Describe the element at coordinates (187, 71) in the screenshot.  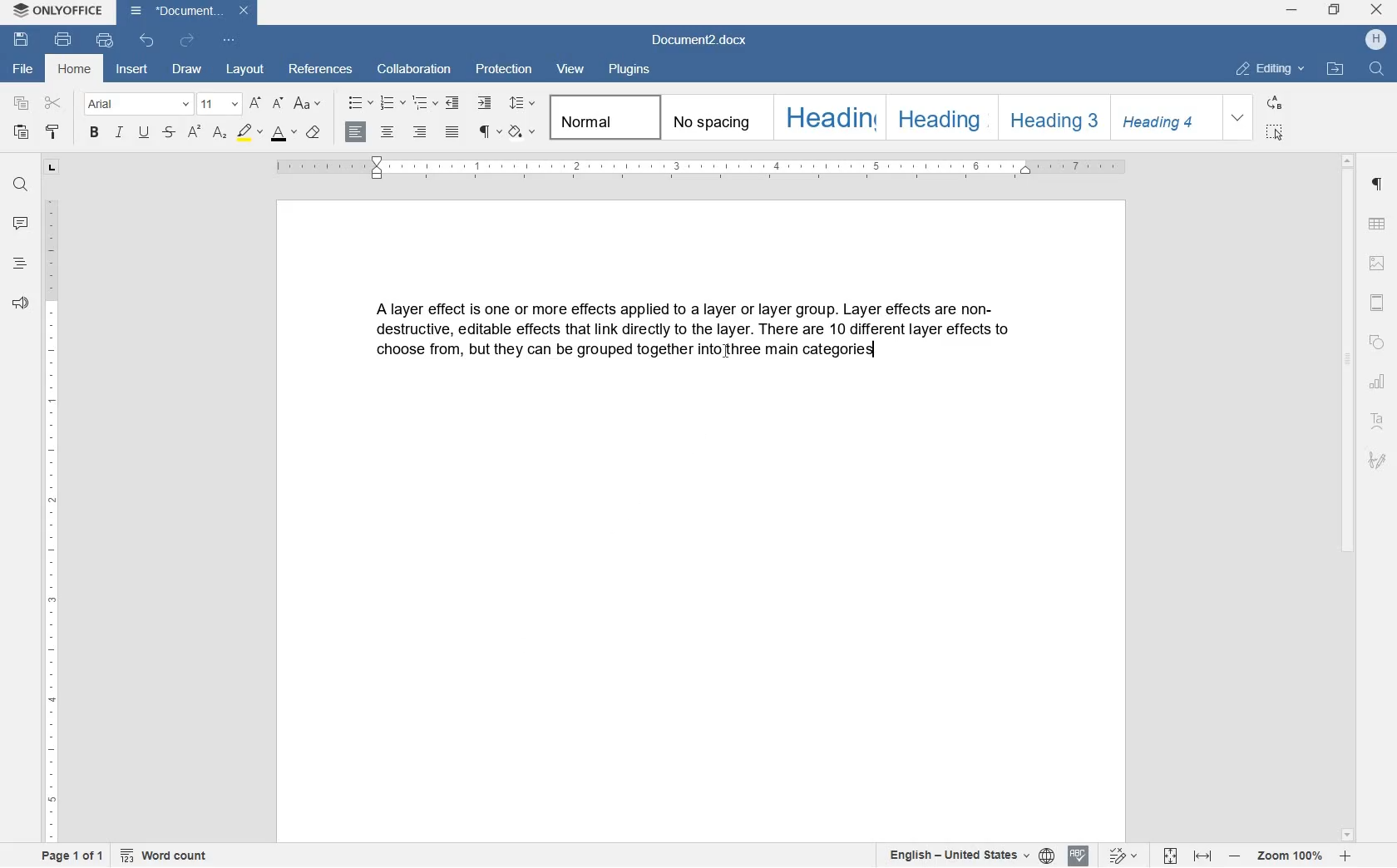
I see `draw` at that location.